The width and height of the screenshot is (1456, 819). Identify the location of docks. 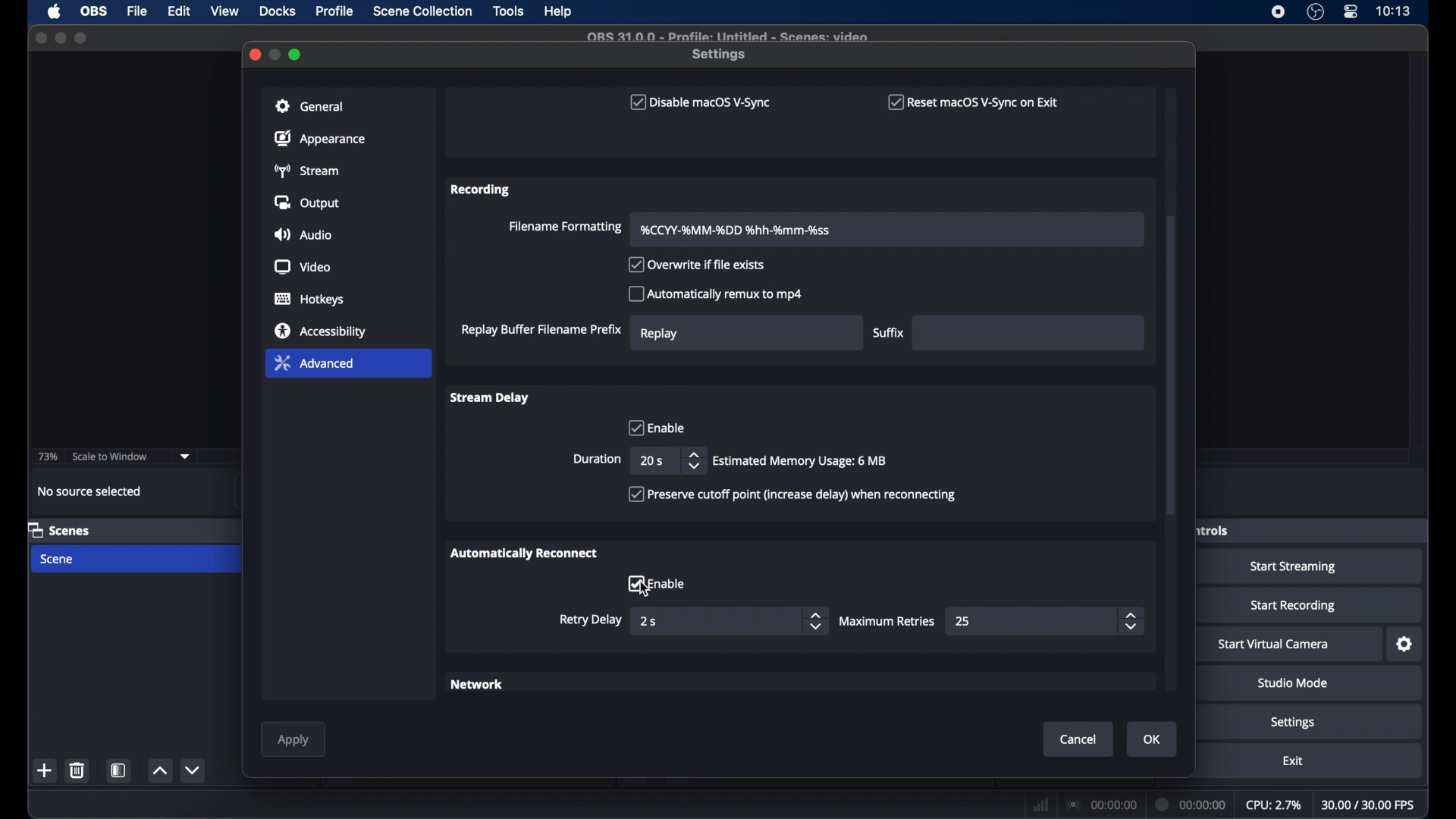
(278, 11).